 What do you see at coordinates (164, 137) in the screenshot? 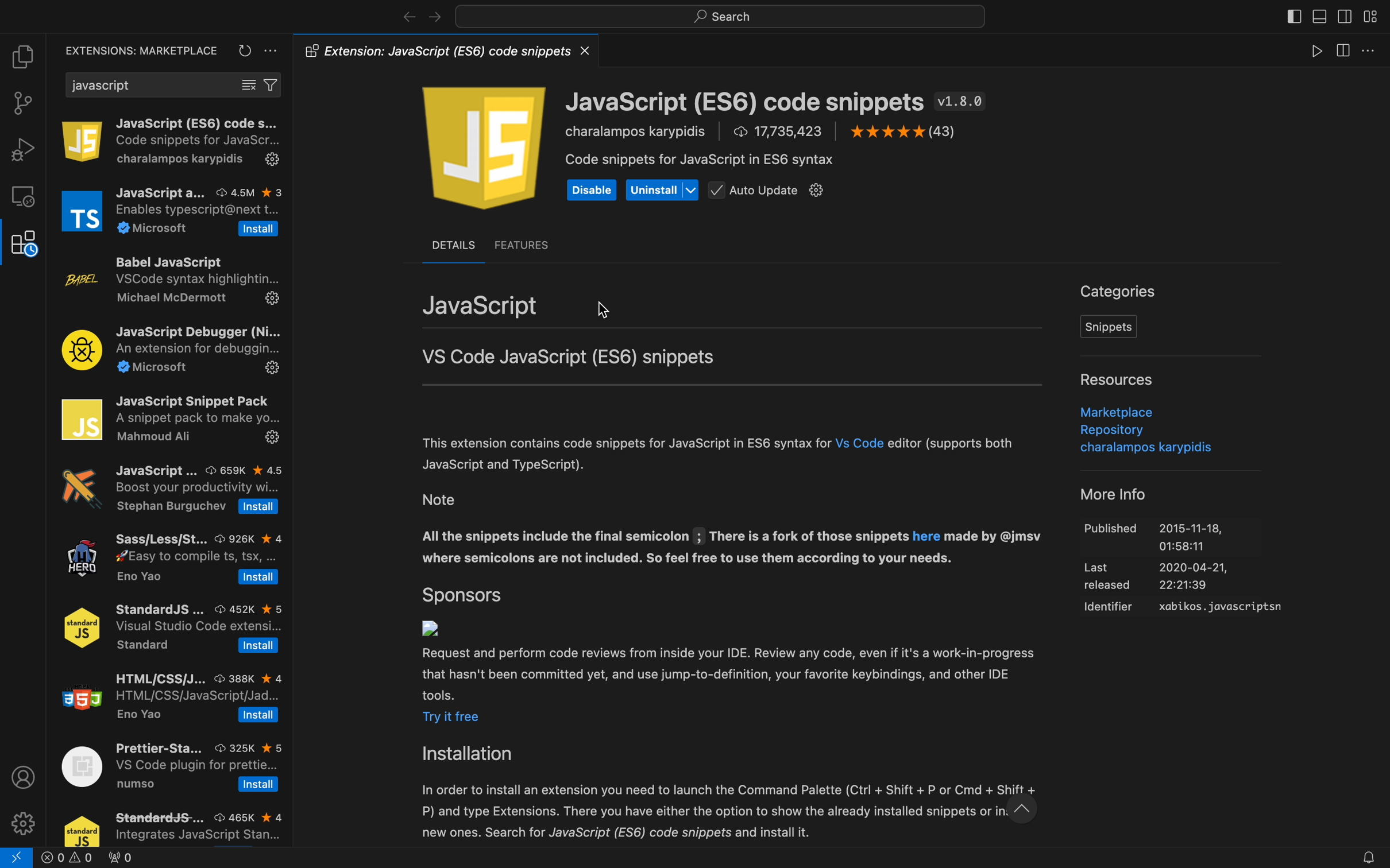
I see `JavaScript (... ®17.7M * 5
Code snippets for JavaScr...
charalampos kary...` at bounding box center [164, 137].